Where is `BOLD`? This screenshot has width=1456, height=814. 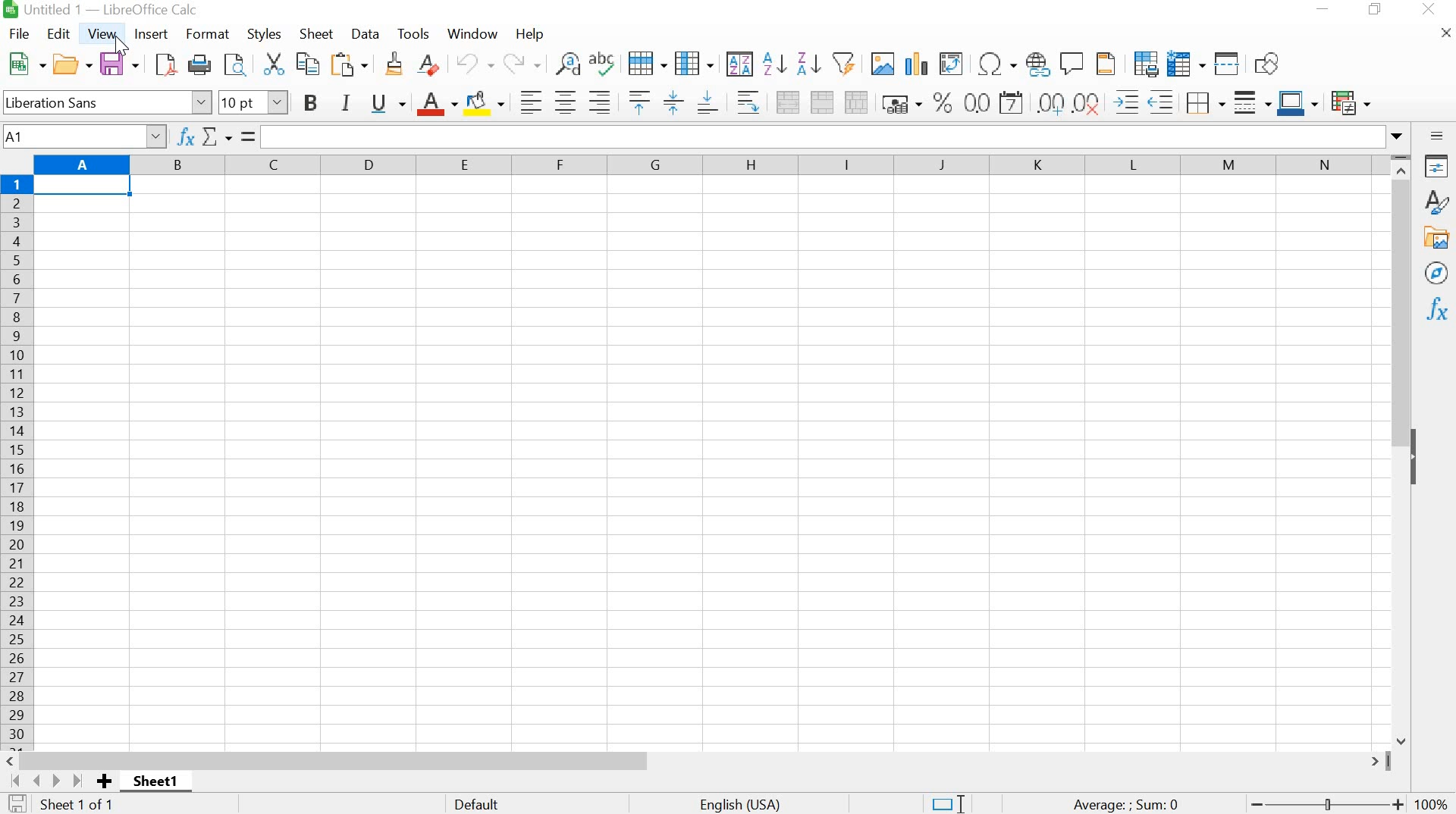
BOLD is located at coordinates (314, 103).